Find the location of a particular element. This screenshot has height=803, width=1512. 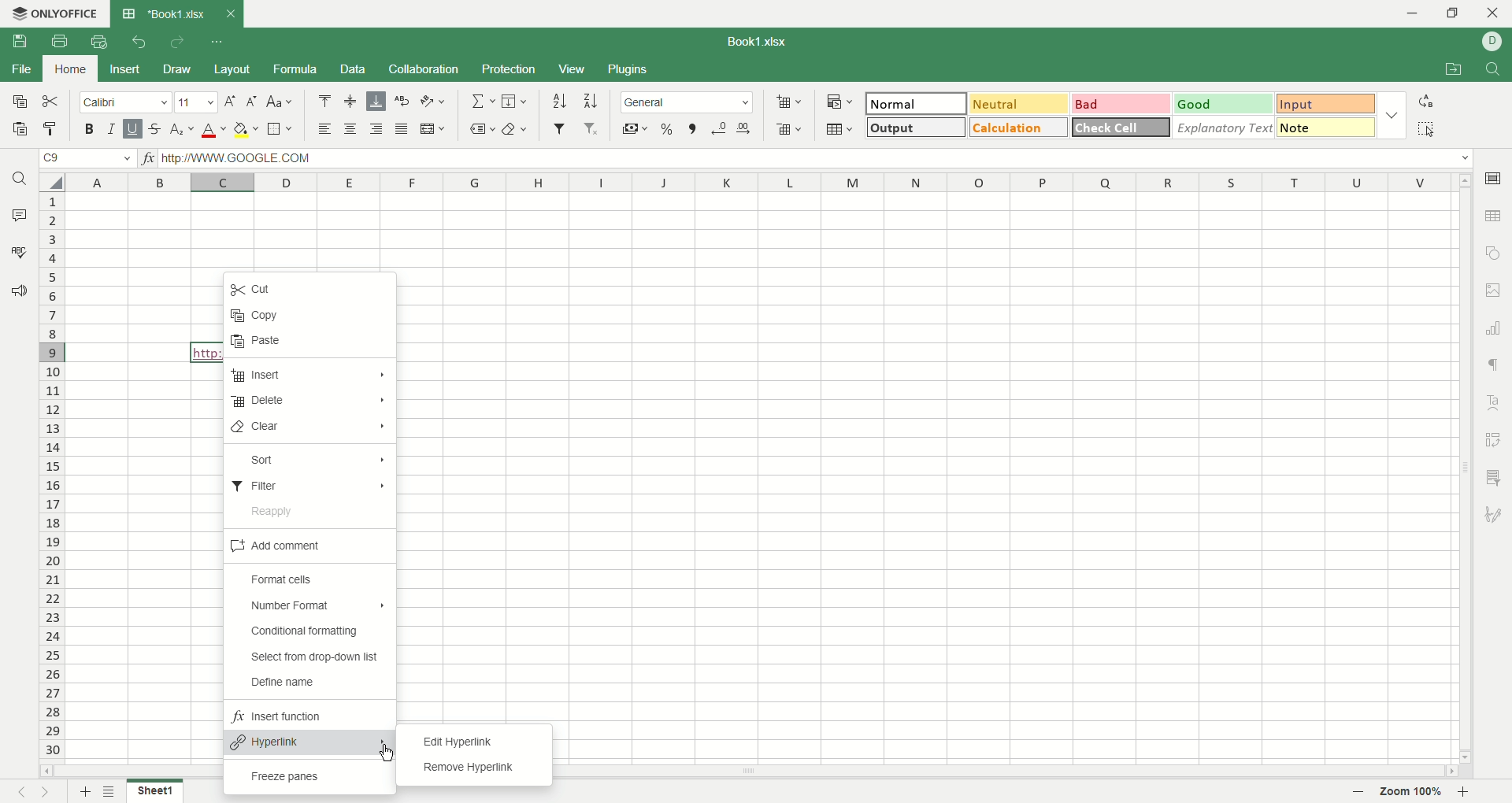

object option is located at coordinates (1495, 252).